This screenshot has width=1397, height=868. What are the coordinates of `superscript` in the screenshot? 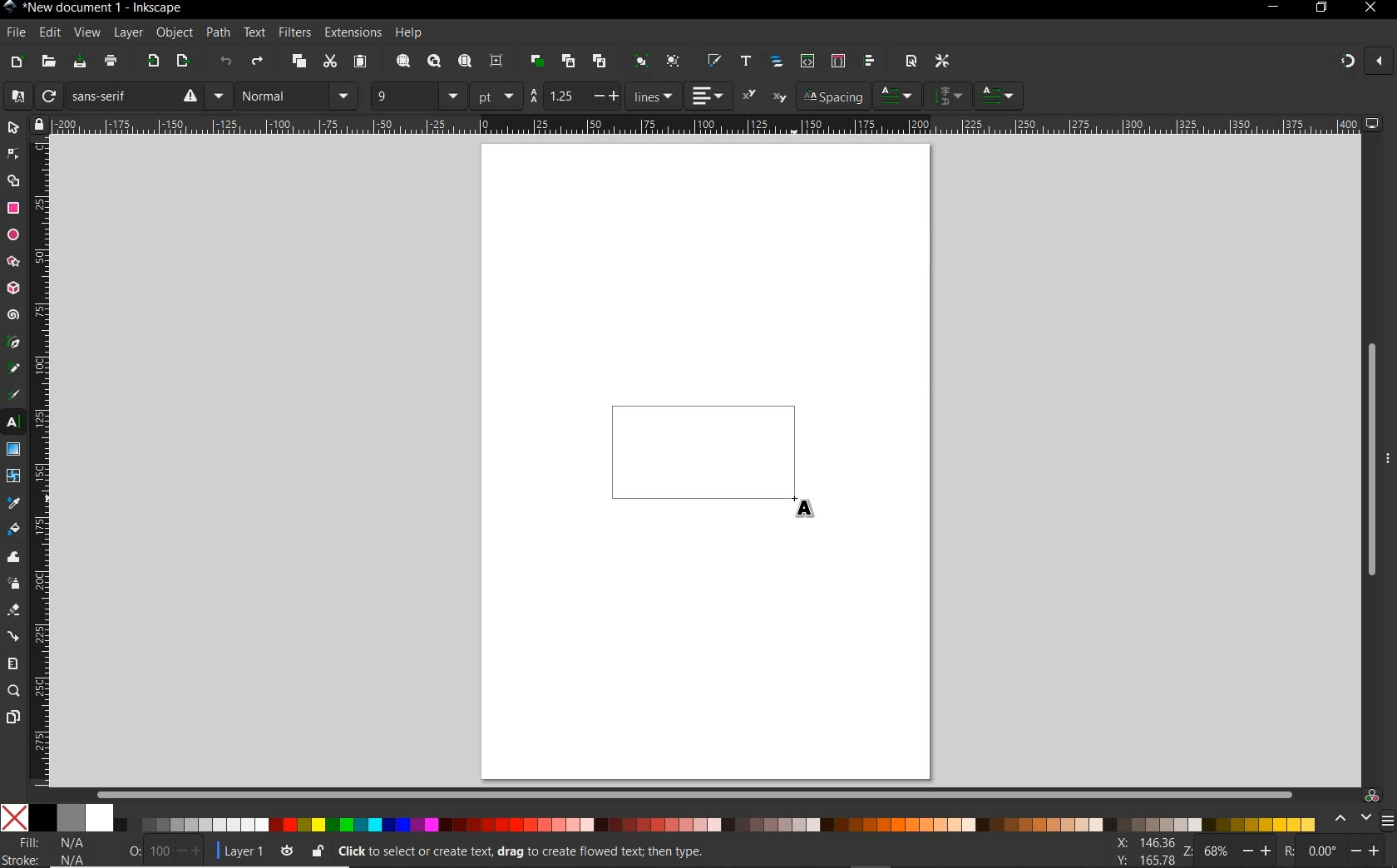 It's located at (750, 95).